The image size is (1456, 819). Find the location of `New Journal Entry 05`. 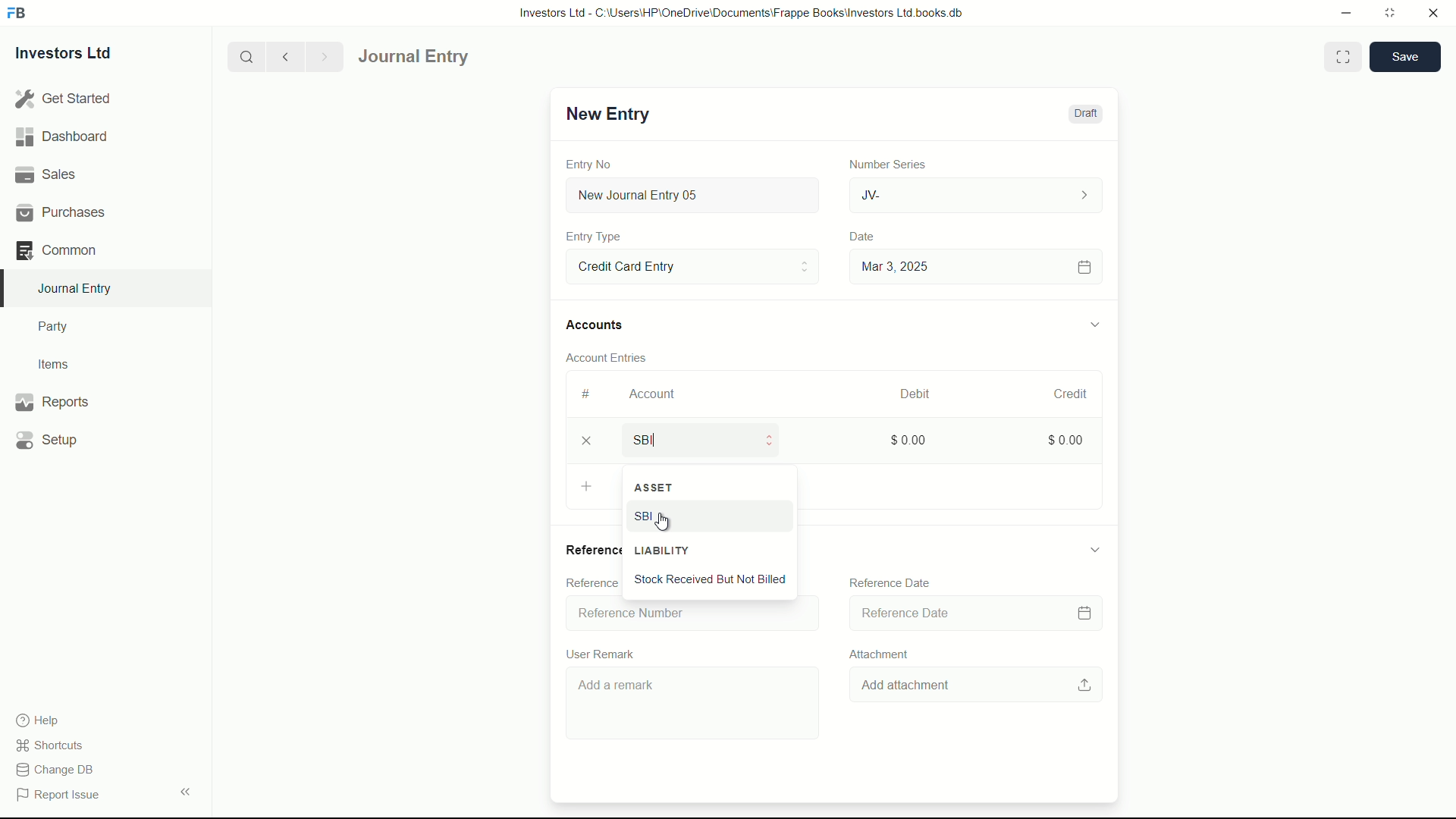

New Journal Entry 05 is located at coordinates (695, 196).